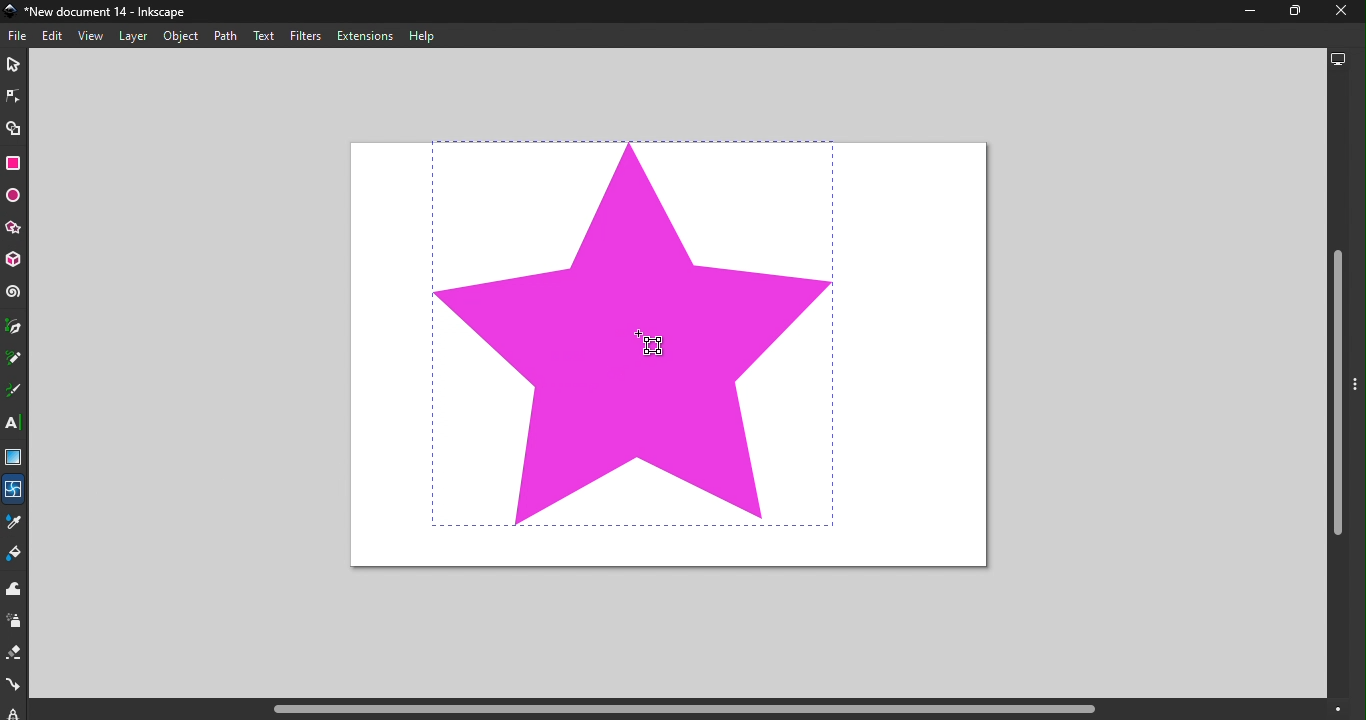 The width and height of the screenshot is (1366, 720). Describe the element at coordinates (129, 36) in the screenshot. I see `Layer` at that location.